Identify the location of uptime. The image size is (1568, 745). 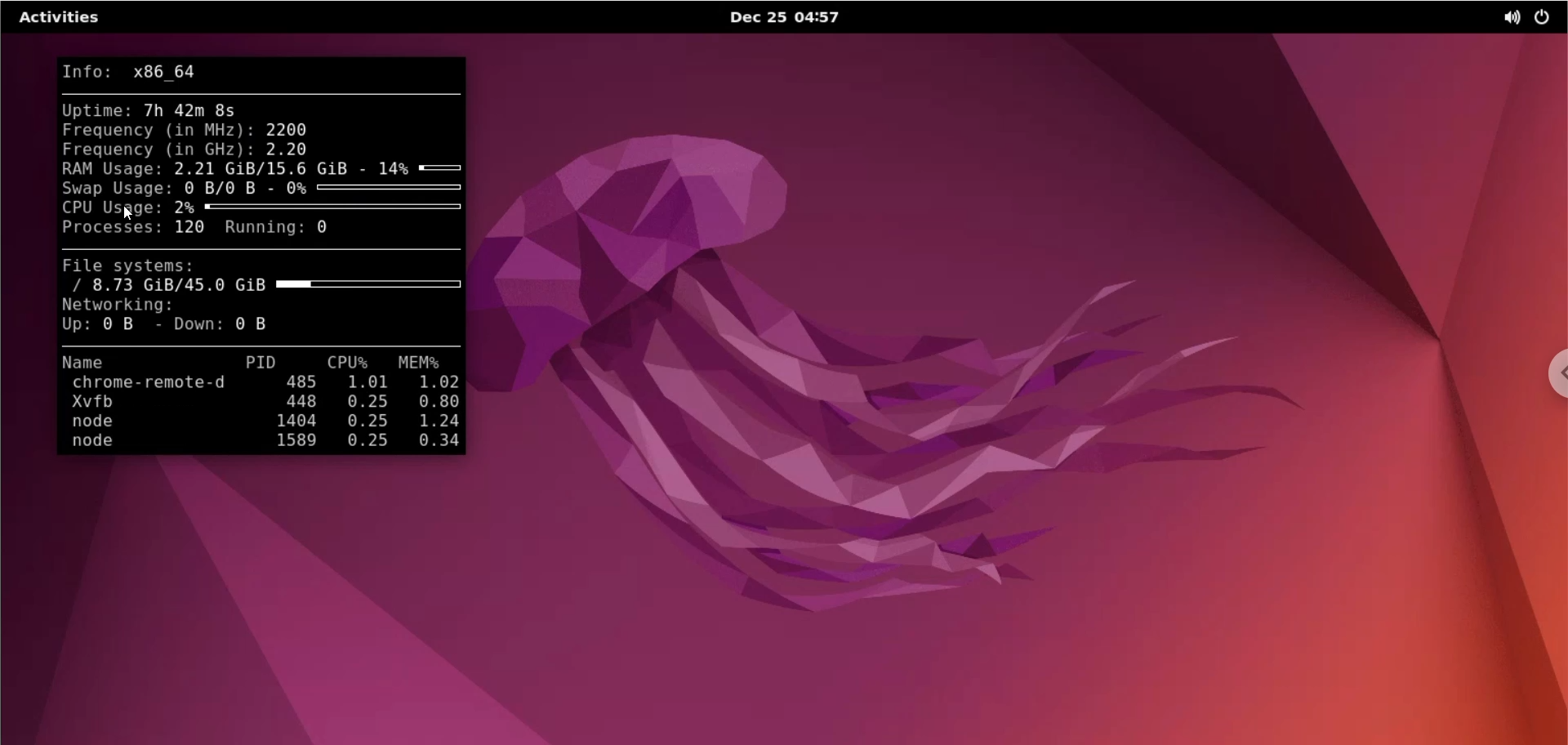
(94, 110).